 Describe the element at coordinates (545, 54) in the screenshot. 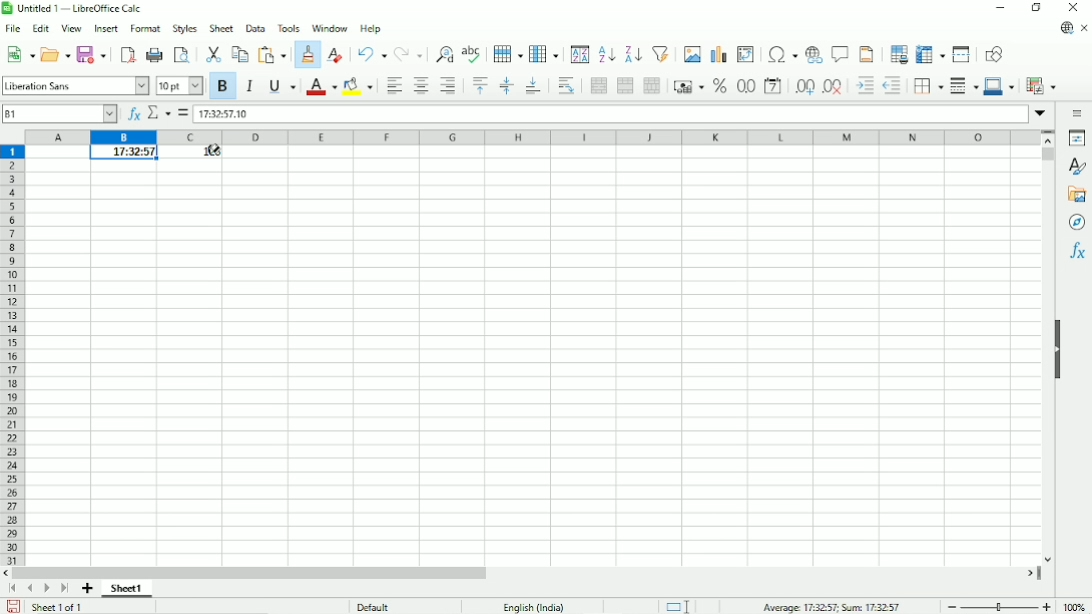

I see `Columns` at that location.